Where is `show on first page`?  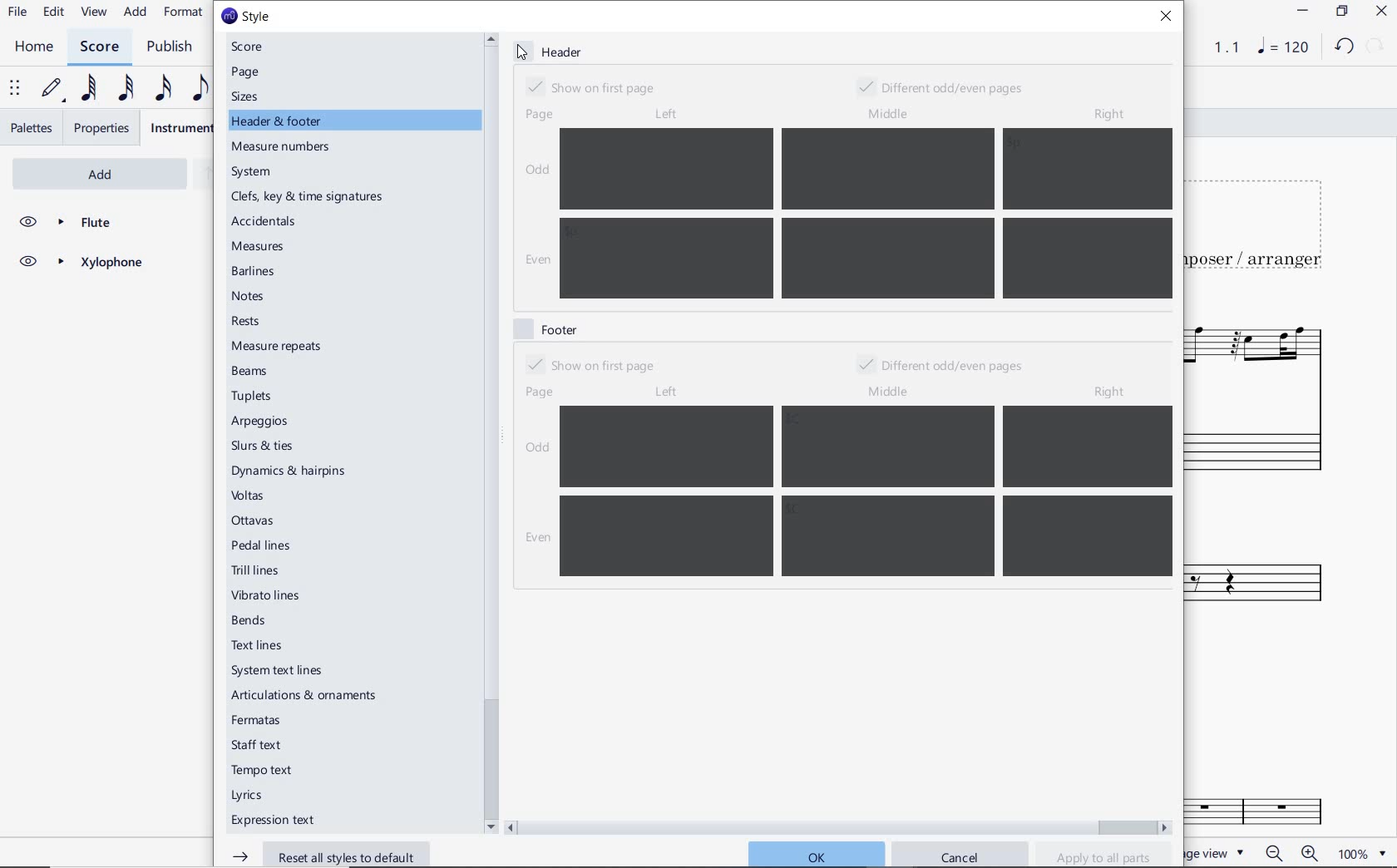
show on first page is located at coordinates (595, 86).